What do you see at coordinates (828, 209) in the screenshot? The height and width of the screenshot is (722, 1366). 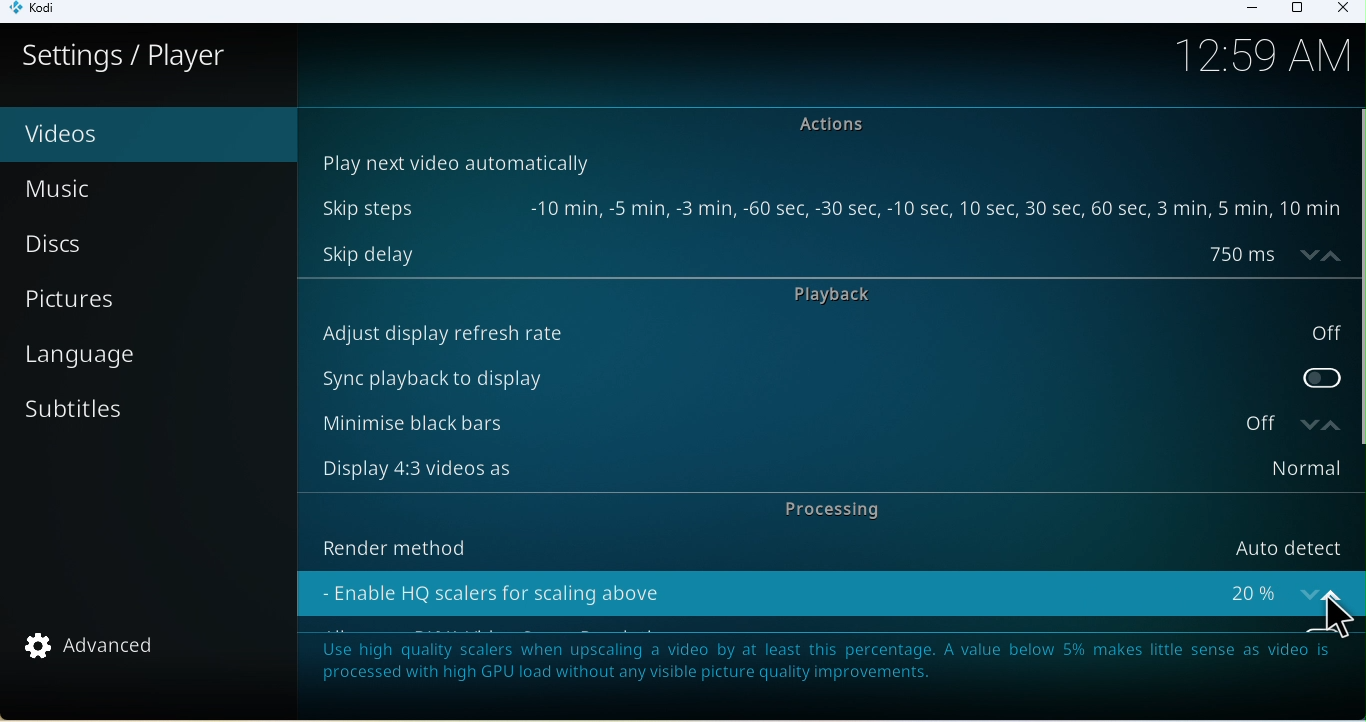 I see `Skip steps` at bounding box center [828, 209].